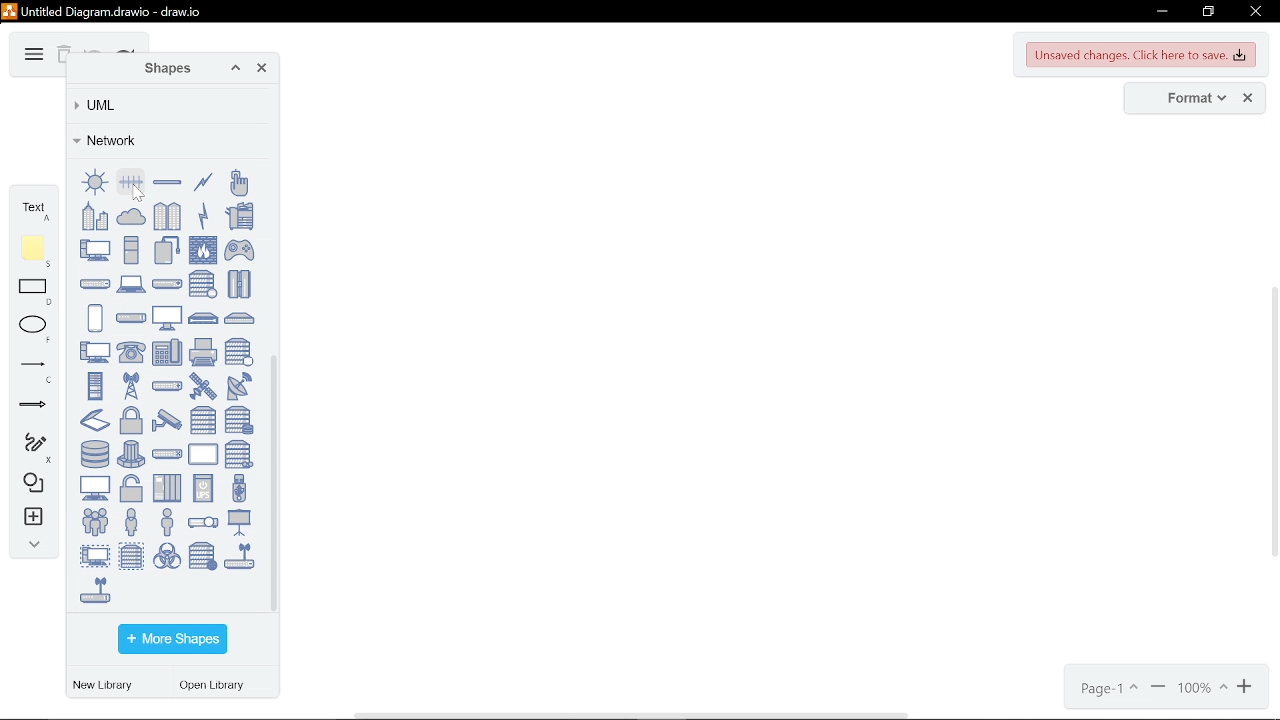 The height and width of the screenshot is (720, 1280). What do you see at coordinates (203, 182) in the screenshot?
I see `comm link` at bounding box center [203, 182].